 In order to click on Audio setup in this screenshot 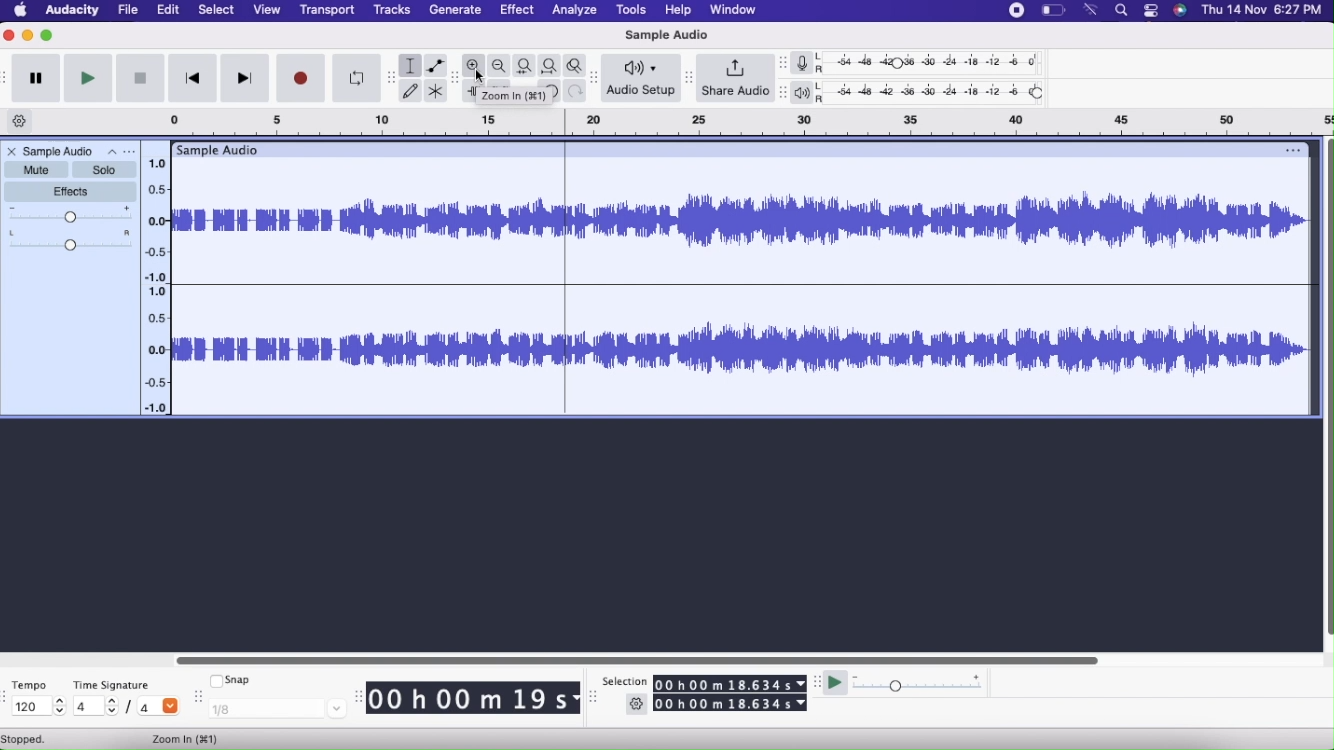, I will do `click(642, 80)`.